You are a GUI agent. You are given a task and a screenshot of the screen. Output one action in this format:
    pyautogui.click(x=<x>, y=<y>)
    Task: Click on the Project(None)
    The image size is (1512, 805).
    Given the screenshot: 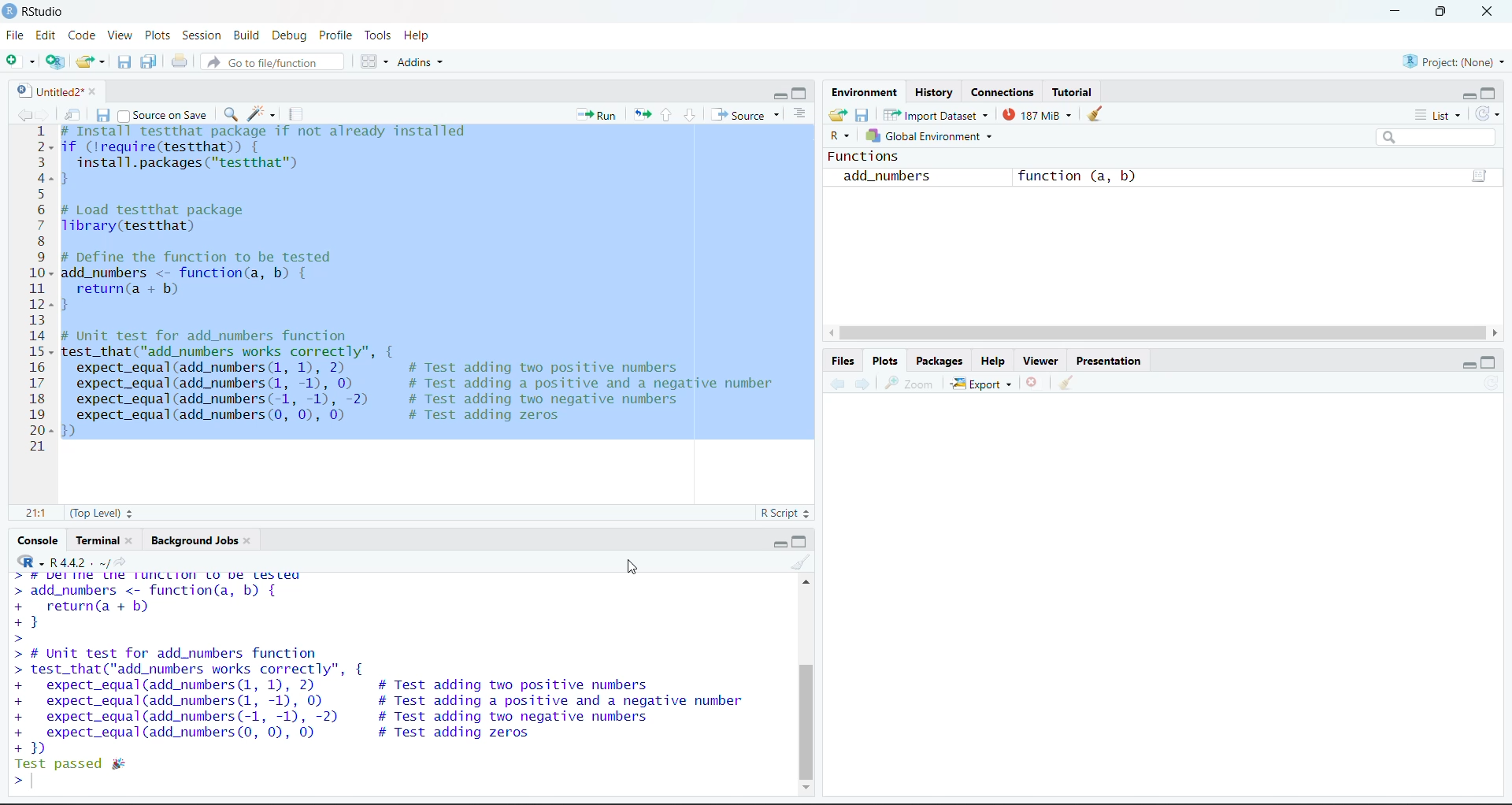 What is the action you would take?
    pyautogui.click(x=1454, y=63)
    